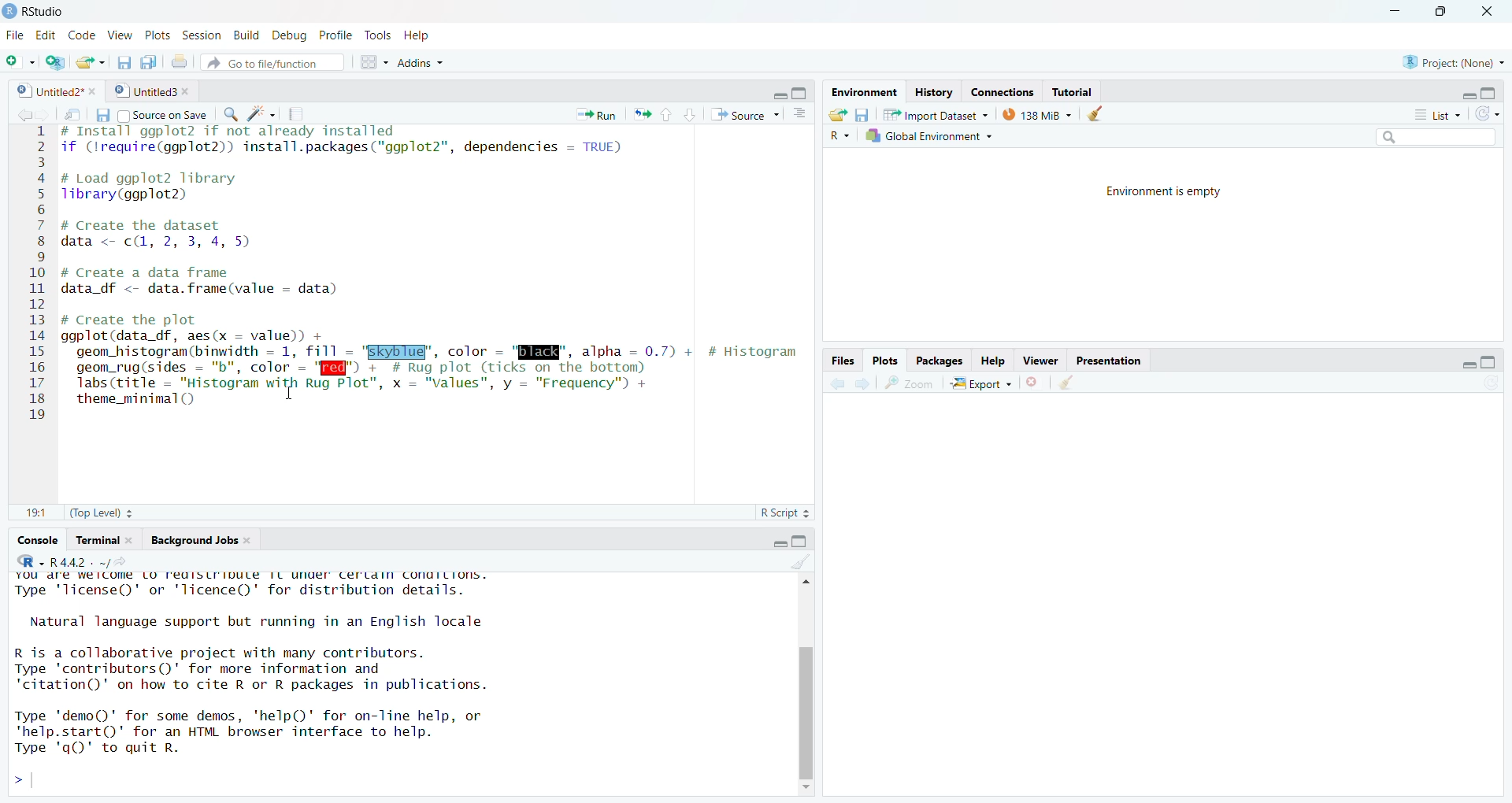 This screenshot has width=1512, height=803. I want to click on forward/backward, so click(28, 116).